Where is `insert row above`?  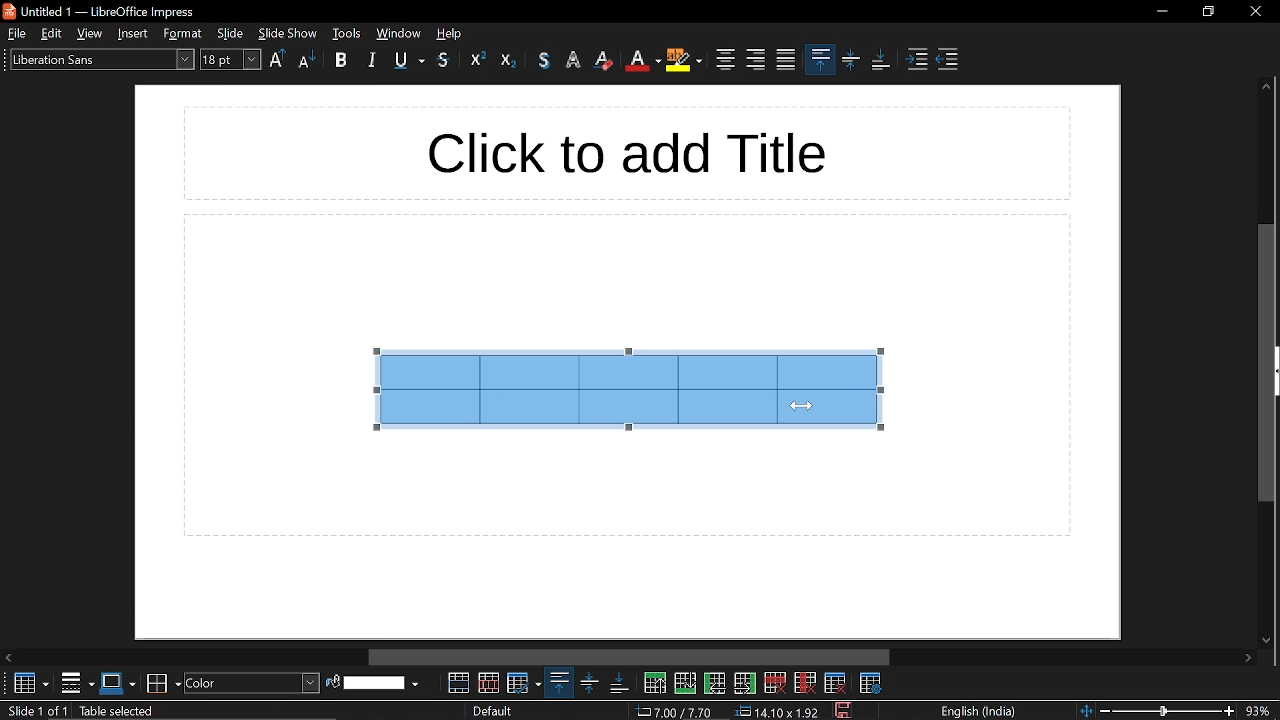
insert row above is located at coordinates (654, 682).